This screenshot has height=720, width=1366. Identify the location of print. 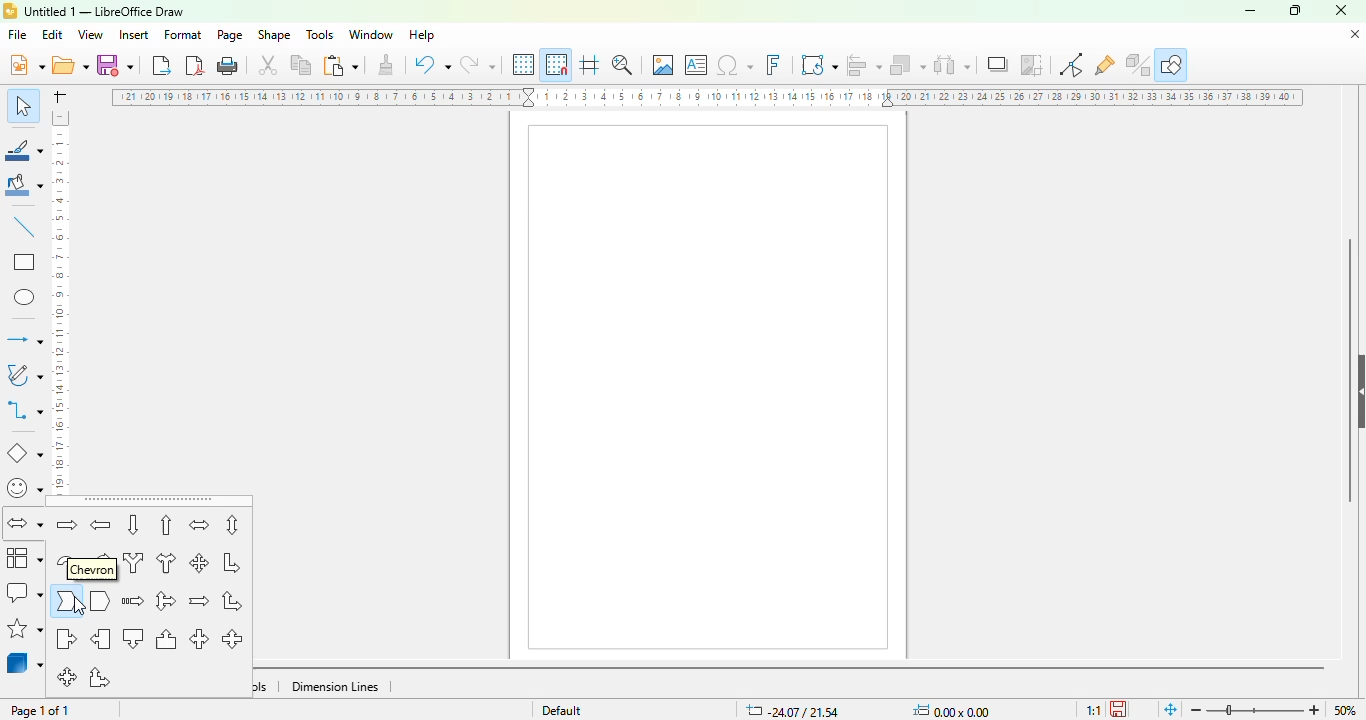
(228, 66).